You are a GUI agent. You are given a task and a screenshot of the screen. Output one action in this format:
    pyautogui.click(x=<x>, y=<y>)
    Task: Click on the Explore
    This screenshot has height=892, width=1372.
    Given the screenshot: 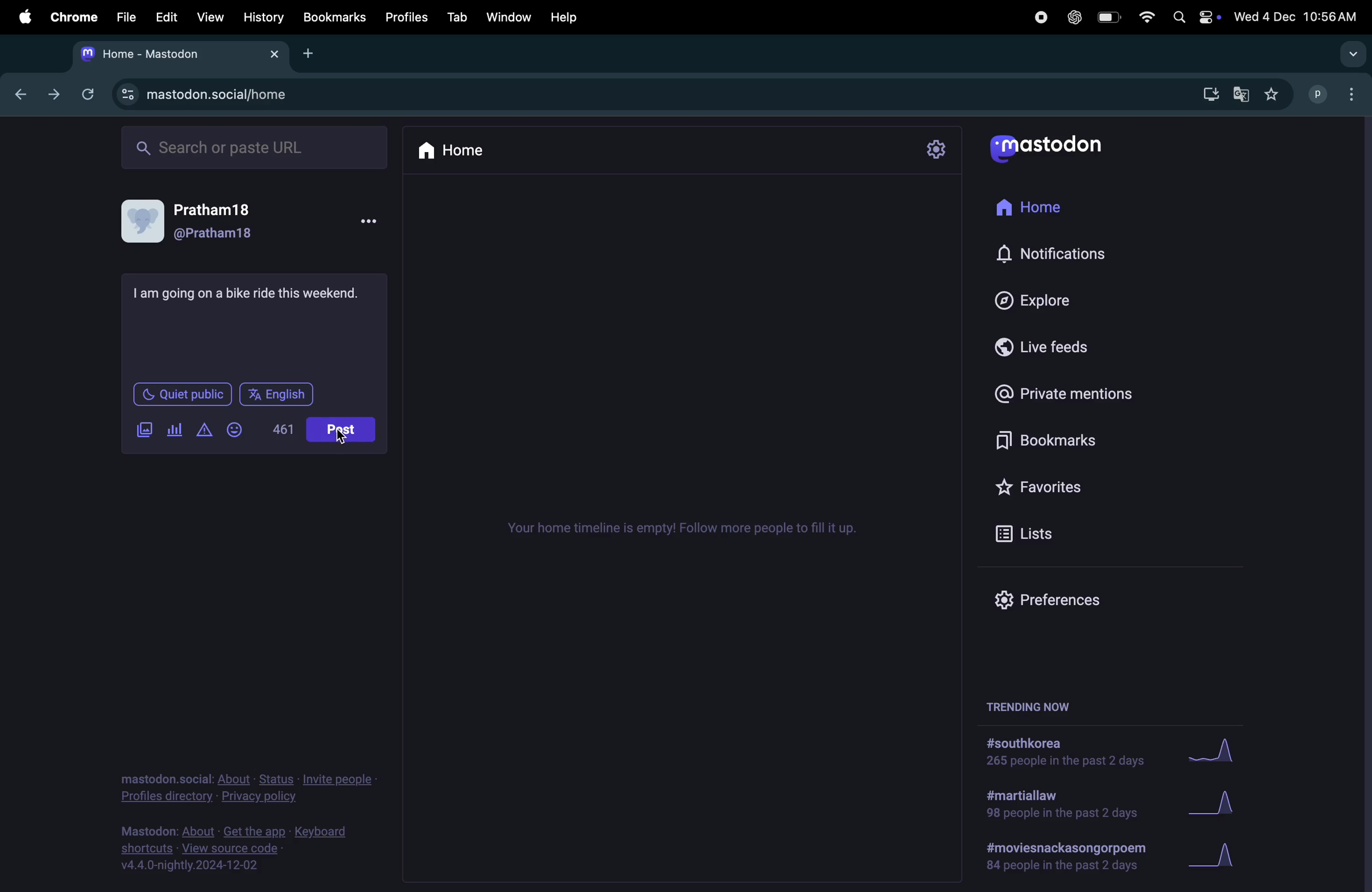 What is the action you would take?
    pyautogui.click(x=1041, y=300)
    